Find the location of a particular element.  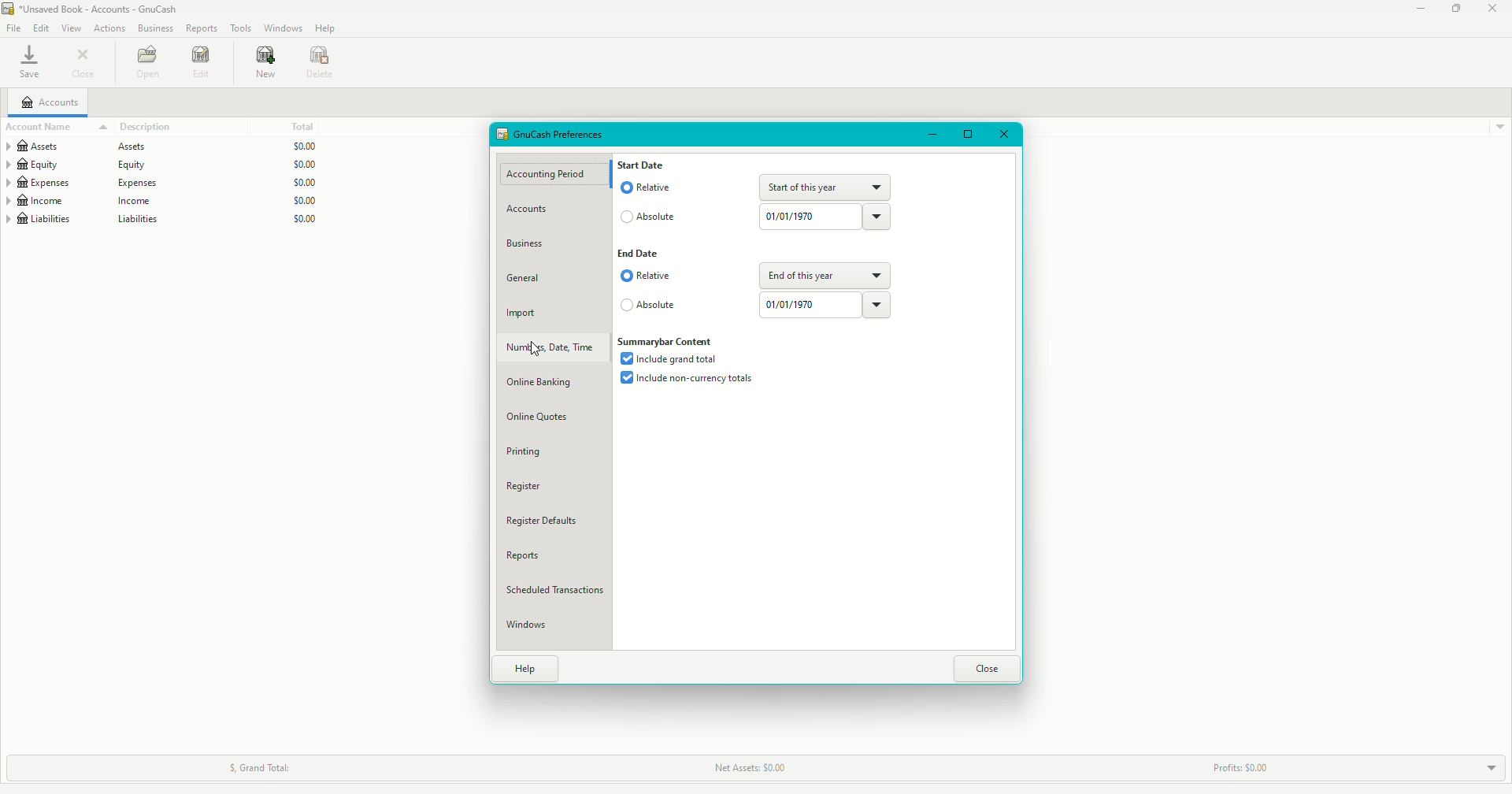

Help is located at coordinates (529, 669).